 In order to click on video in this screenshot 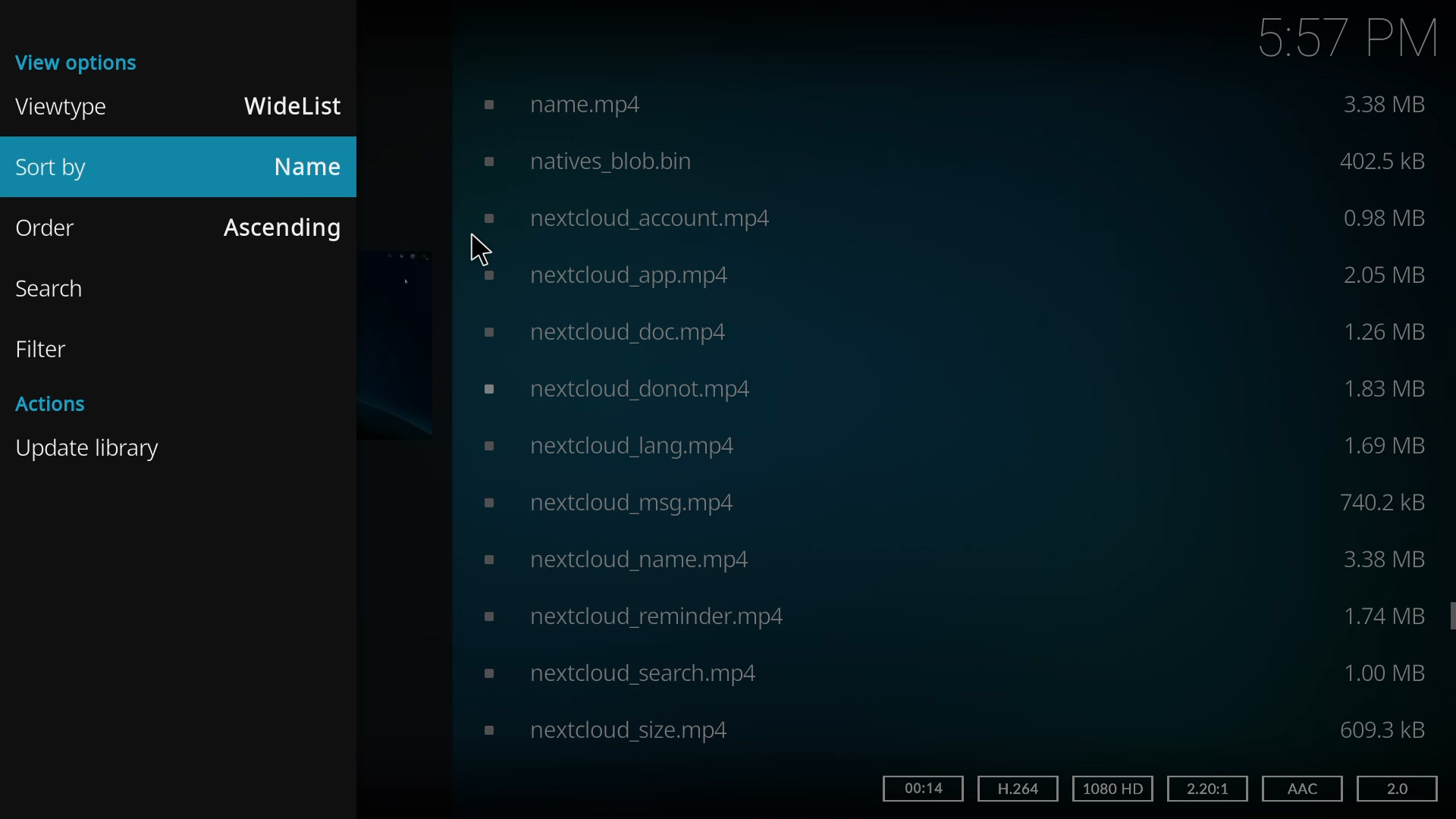, I will do `click(615, 444)`.